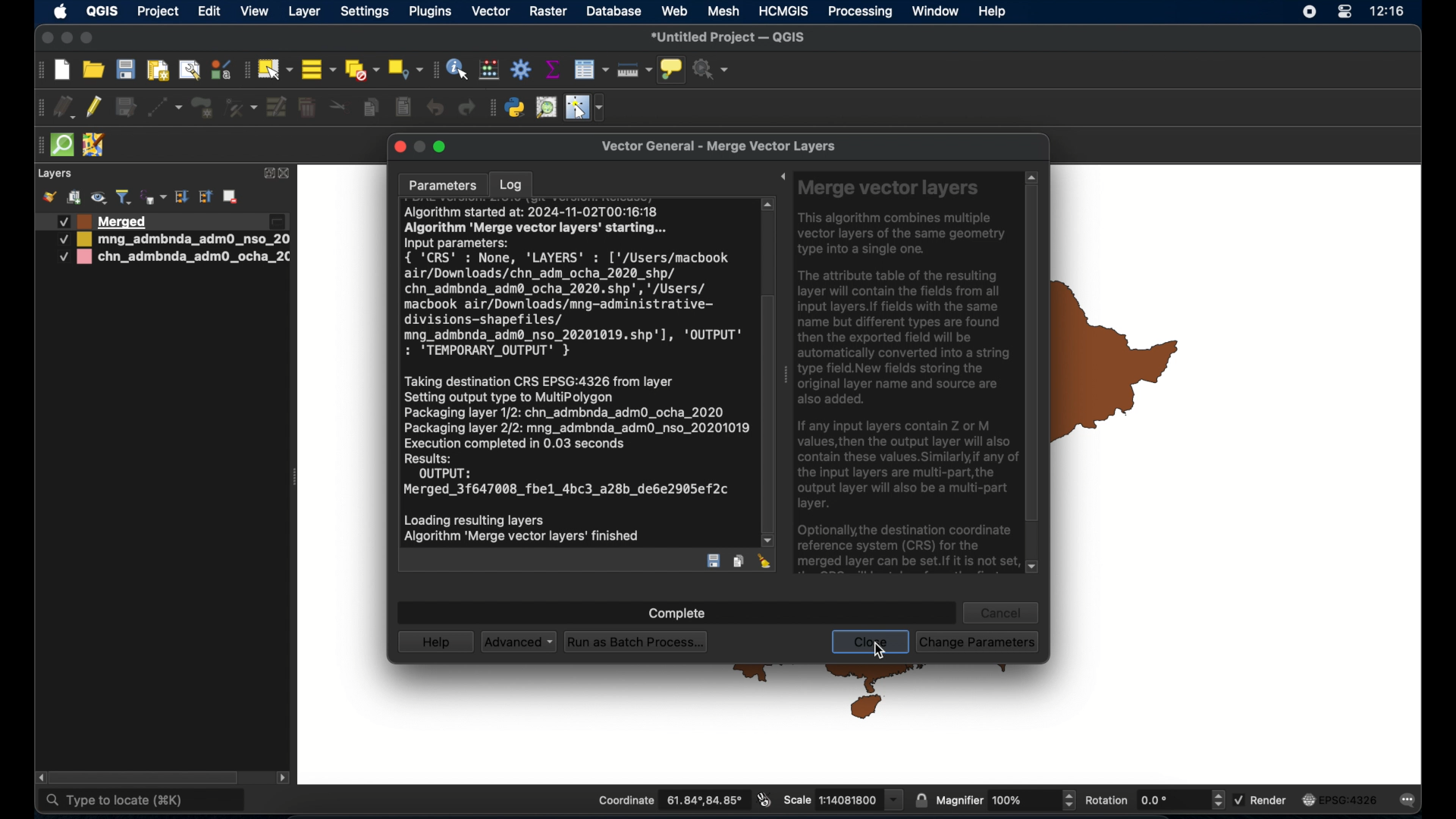 Image resolution: width=1456 pixels, height=819 pixels. I want to click on vector, so click(491, 11).